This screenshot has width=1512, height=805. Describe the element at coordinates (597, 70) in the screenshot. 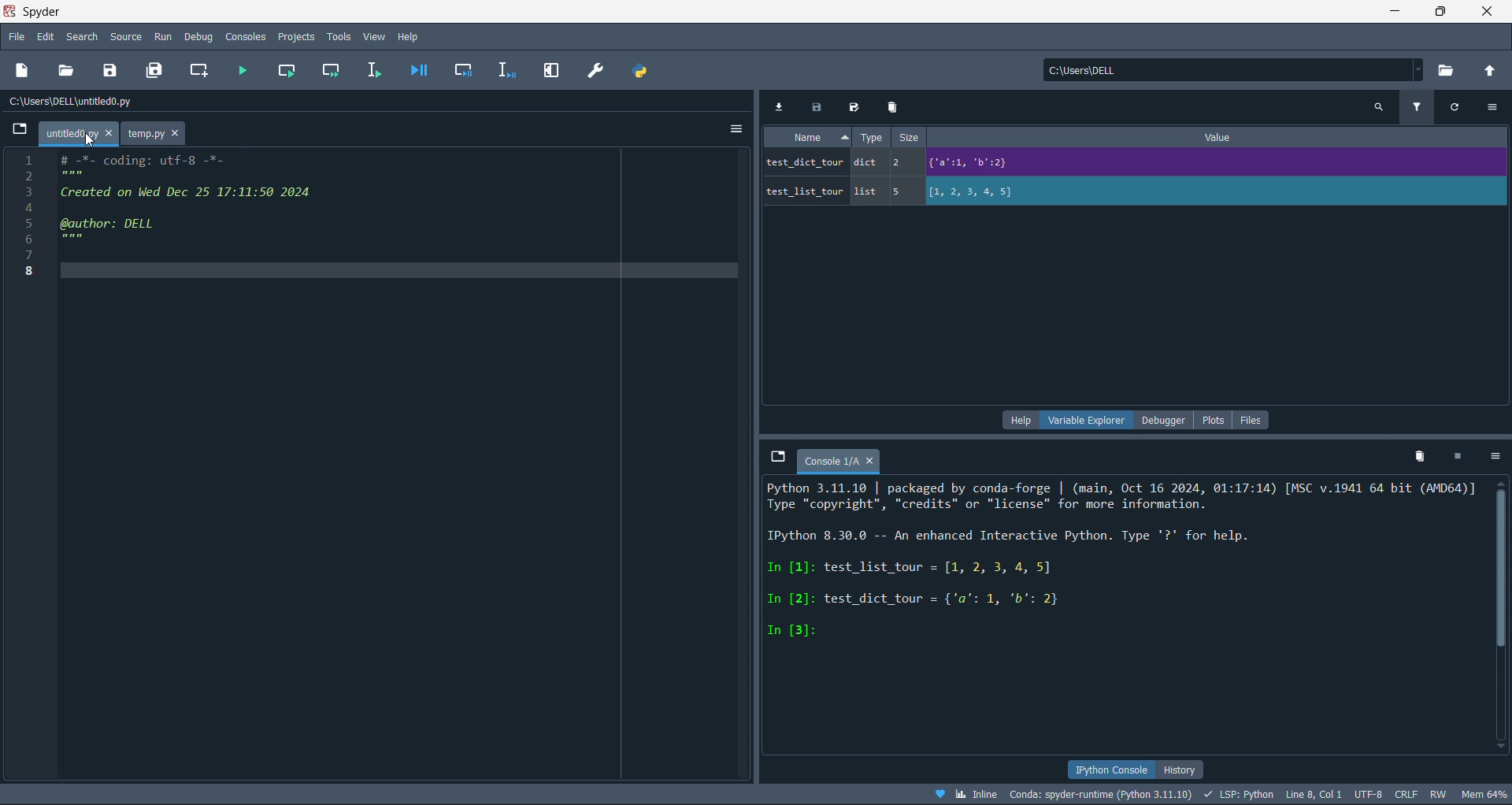

I see `preference` at that location.